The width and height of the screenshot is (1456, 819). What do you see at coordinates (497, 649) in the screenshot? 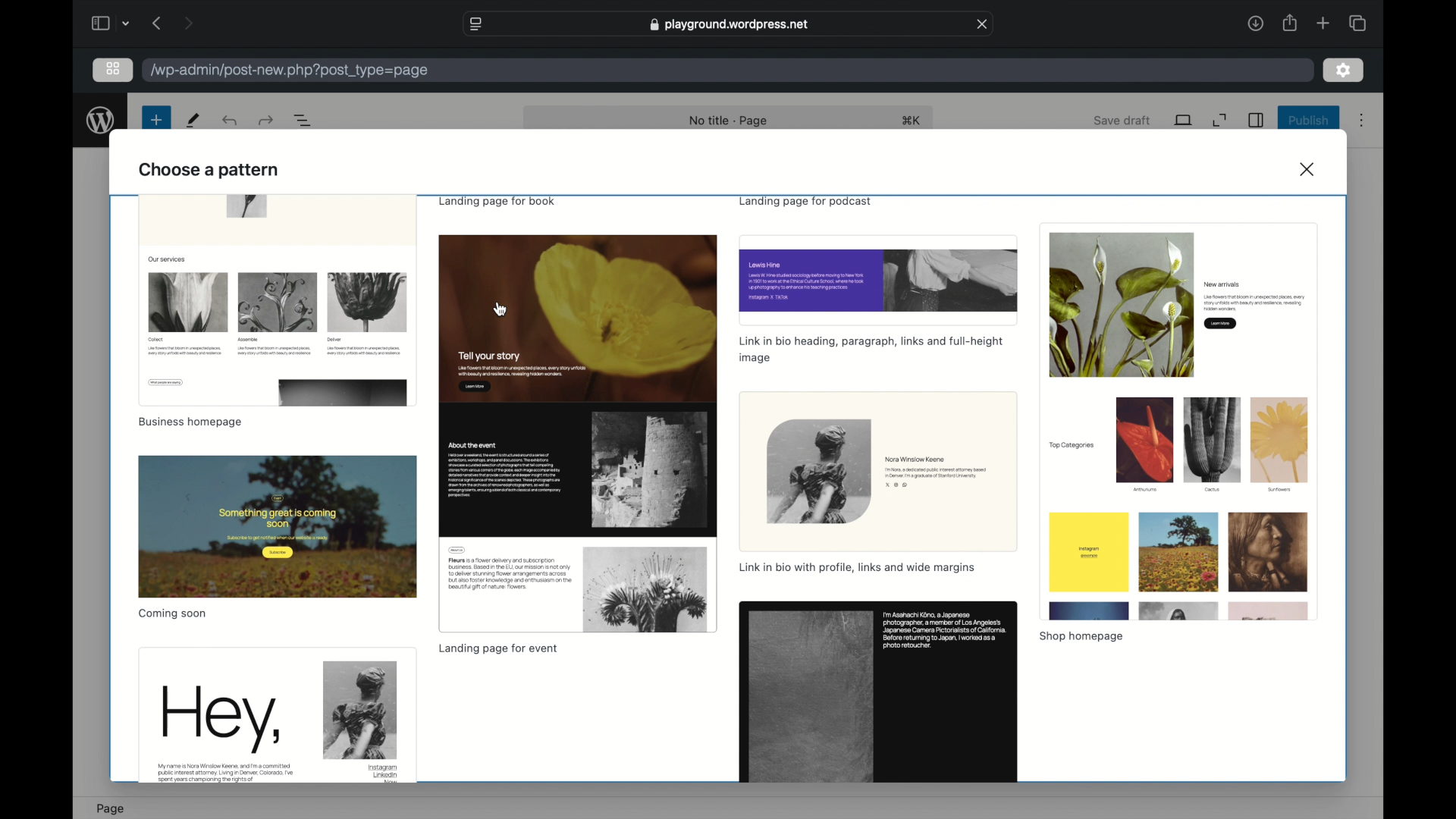
I see `landing page for event` at bounding box center [497, 649].